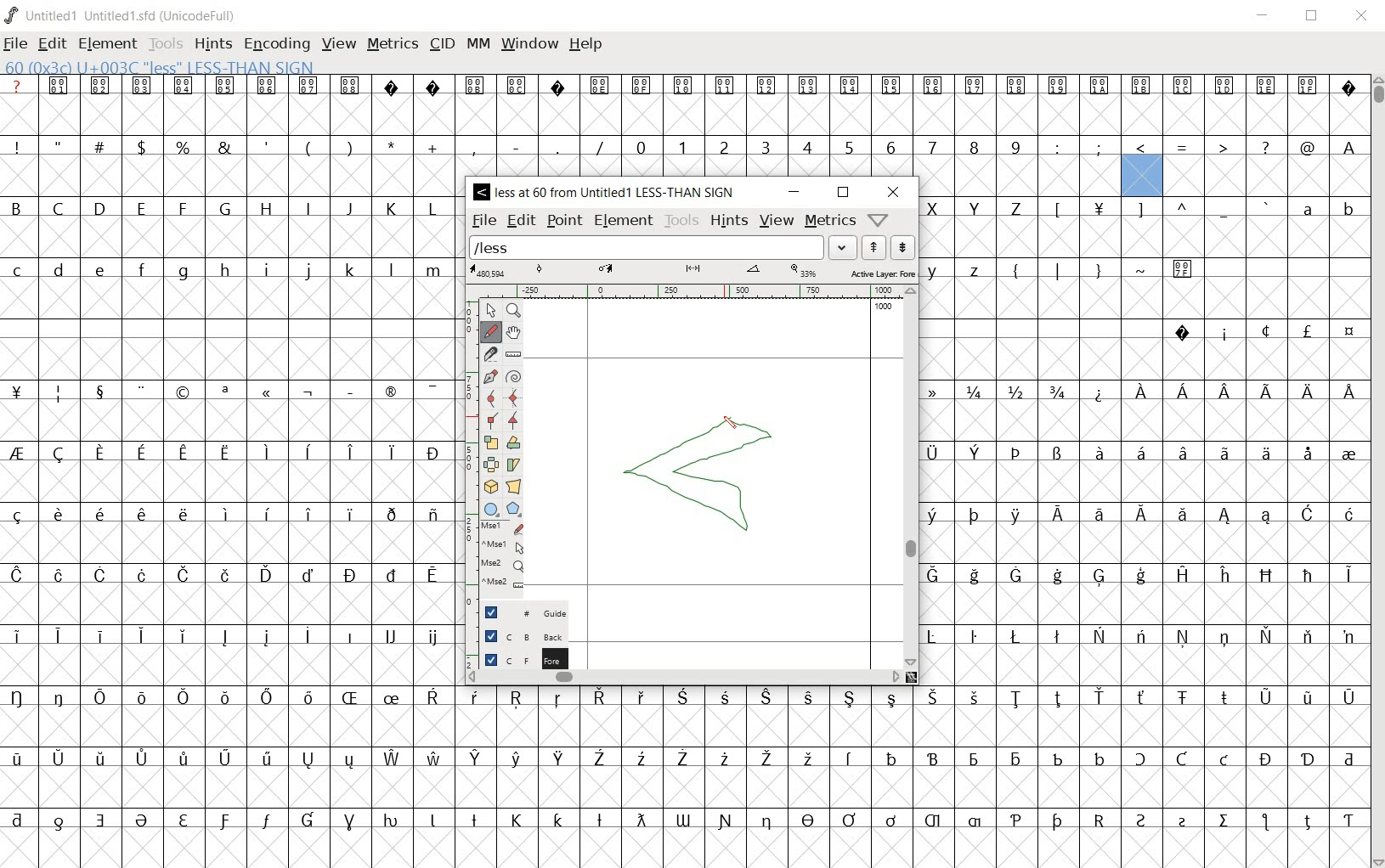 This screenshot has height=868, width=1385. What do you see at coordinates (523, 612) in the screenshot?
I see `guide` at bounding box center [523, 612].